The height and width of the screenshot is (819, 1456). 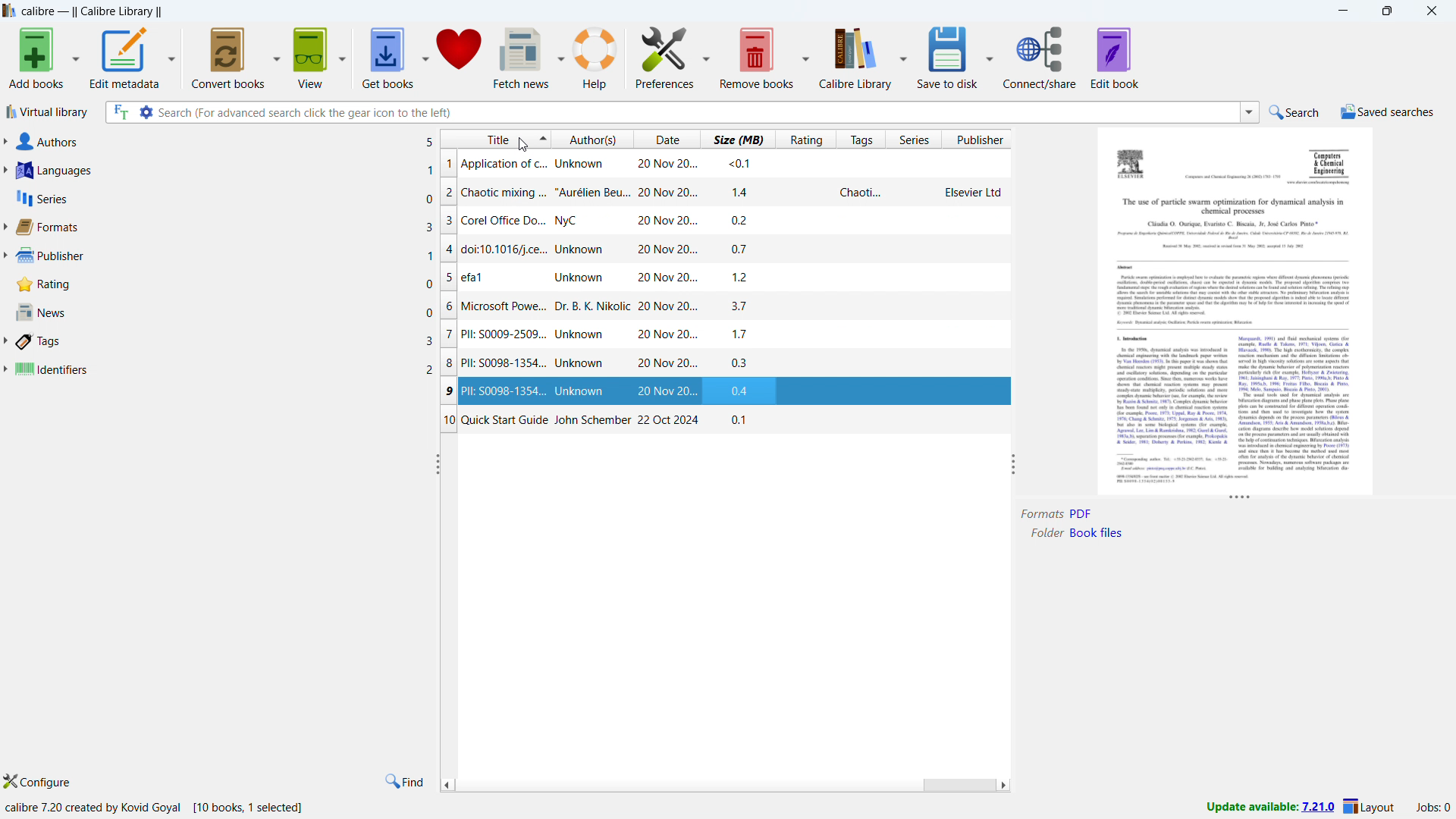 I want to click on efal Unknown 20 Nov 20..., so click(x=583, y=280).